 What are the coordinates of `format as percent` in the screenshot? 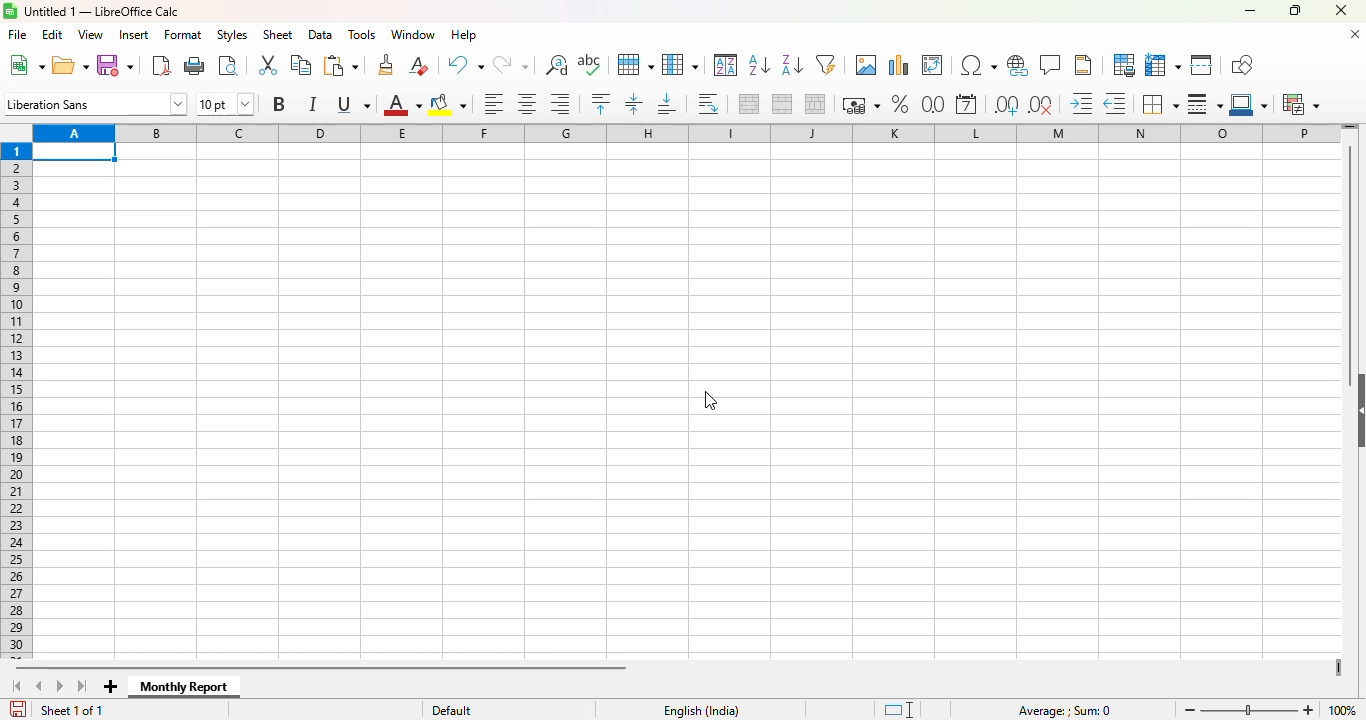 It's located at (902, 103).